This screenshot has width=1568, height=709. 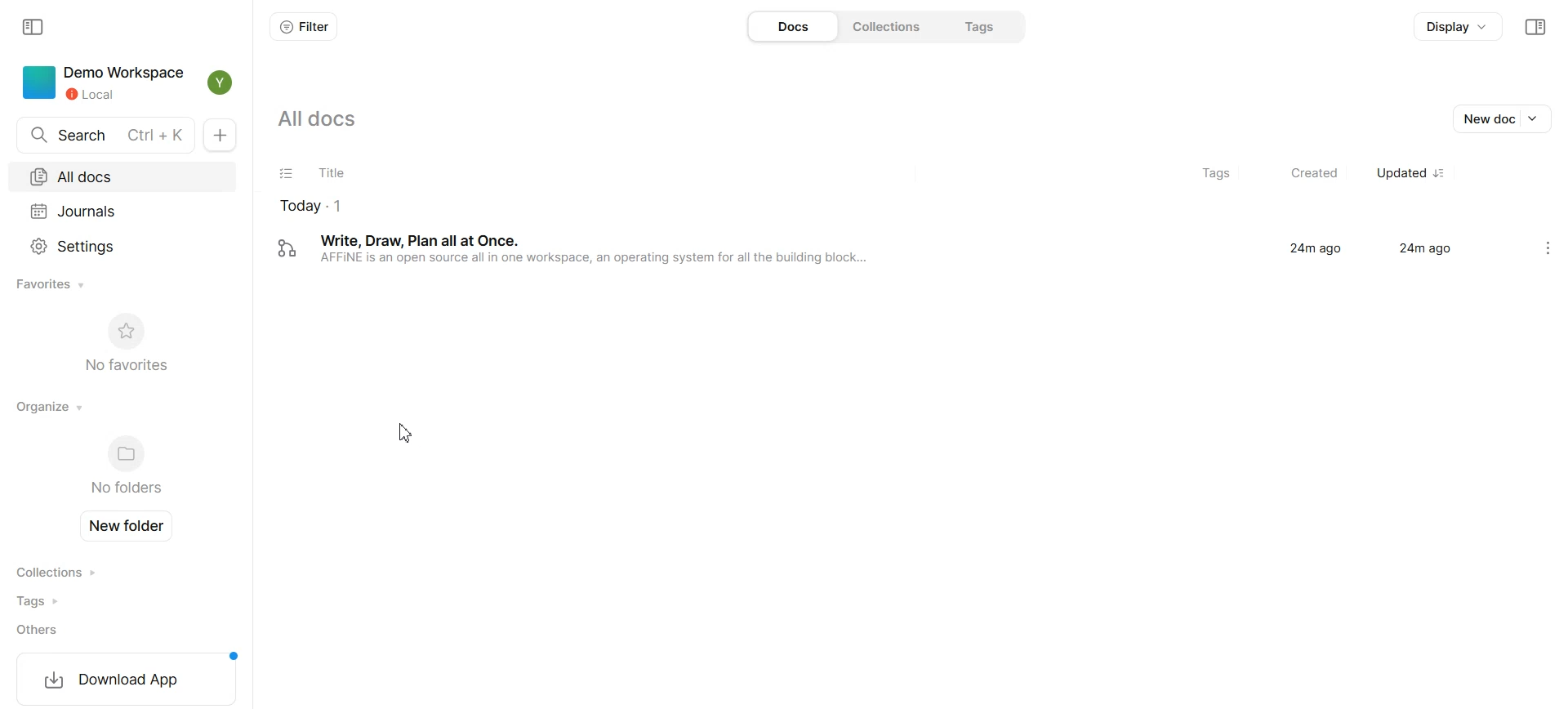 I want to click on Settings, so click(x=1548, y=248).